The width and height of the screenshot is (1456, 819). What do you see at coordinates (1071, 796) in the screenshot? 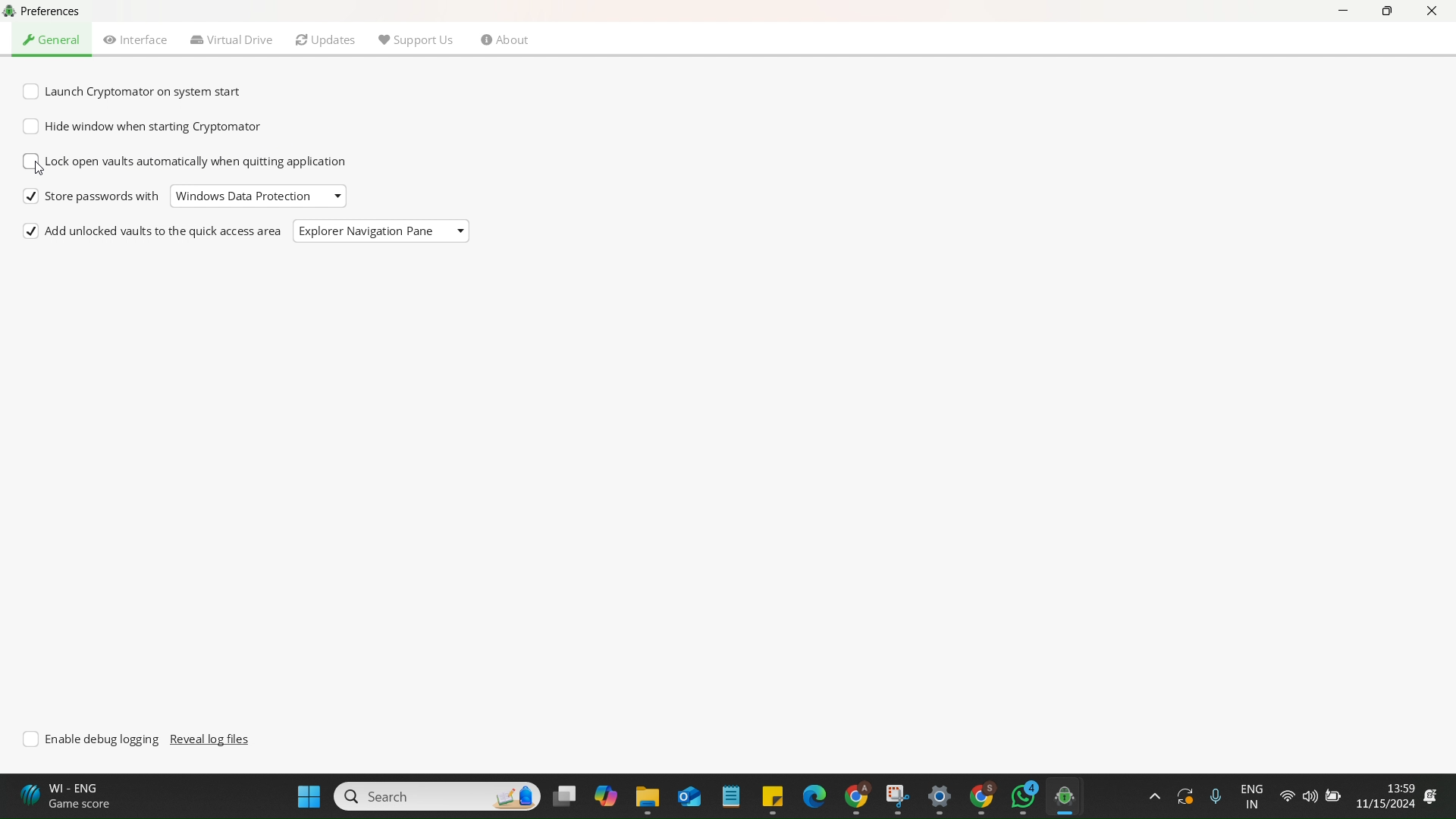
I see `Cryptomator` at bounding box center [1071, 796].